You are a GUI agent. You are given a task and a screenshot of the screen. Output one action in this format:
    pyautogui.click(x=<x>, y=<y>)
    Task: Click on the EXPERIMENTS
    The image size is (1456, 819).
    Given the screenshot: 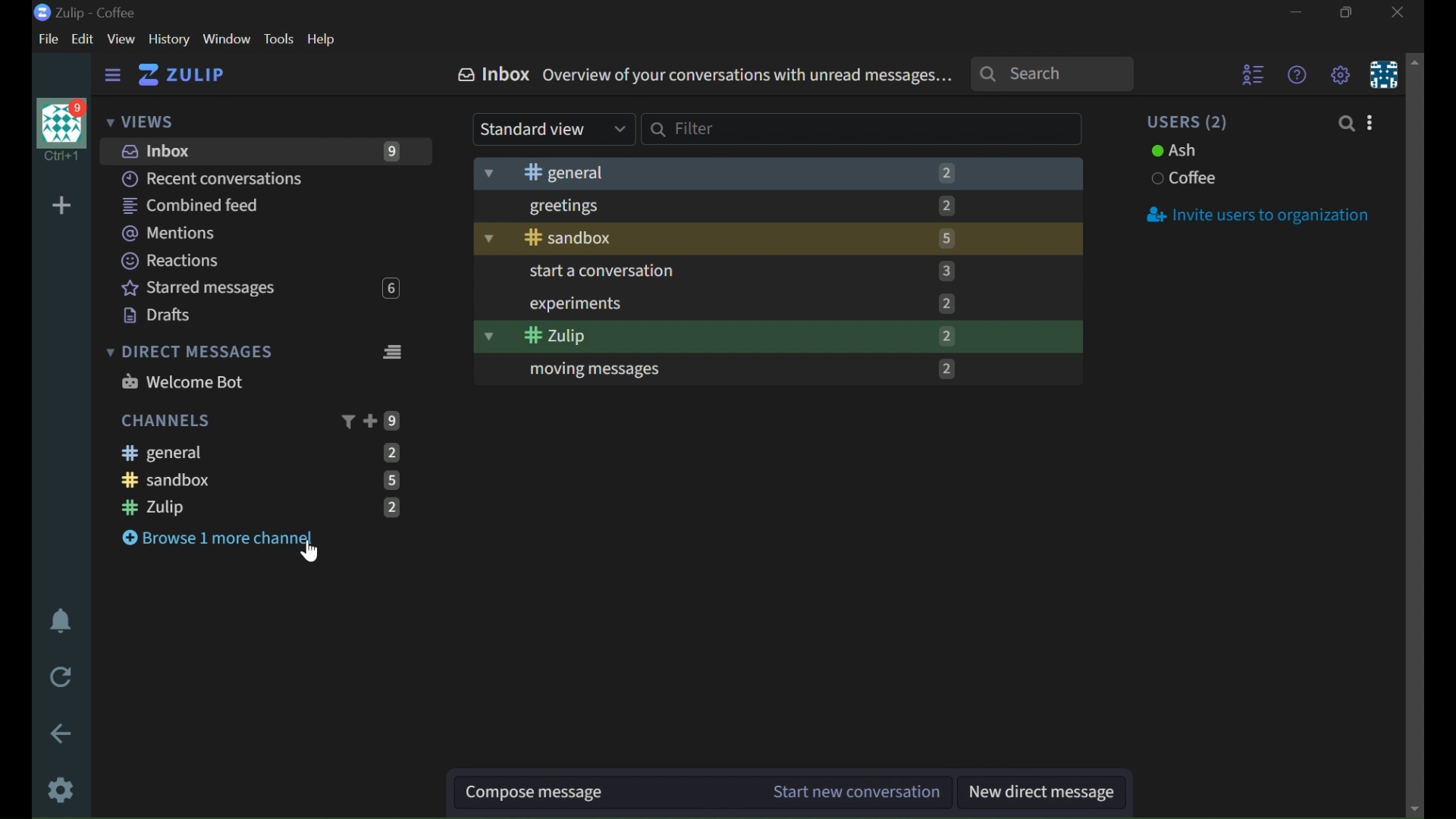 What is the action you would take?
    pyautogui.click(x=779, y=303)
    